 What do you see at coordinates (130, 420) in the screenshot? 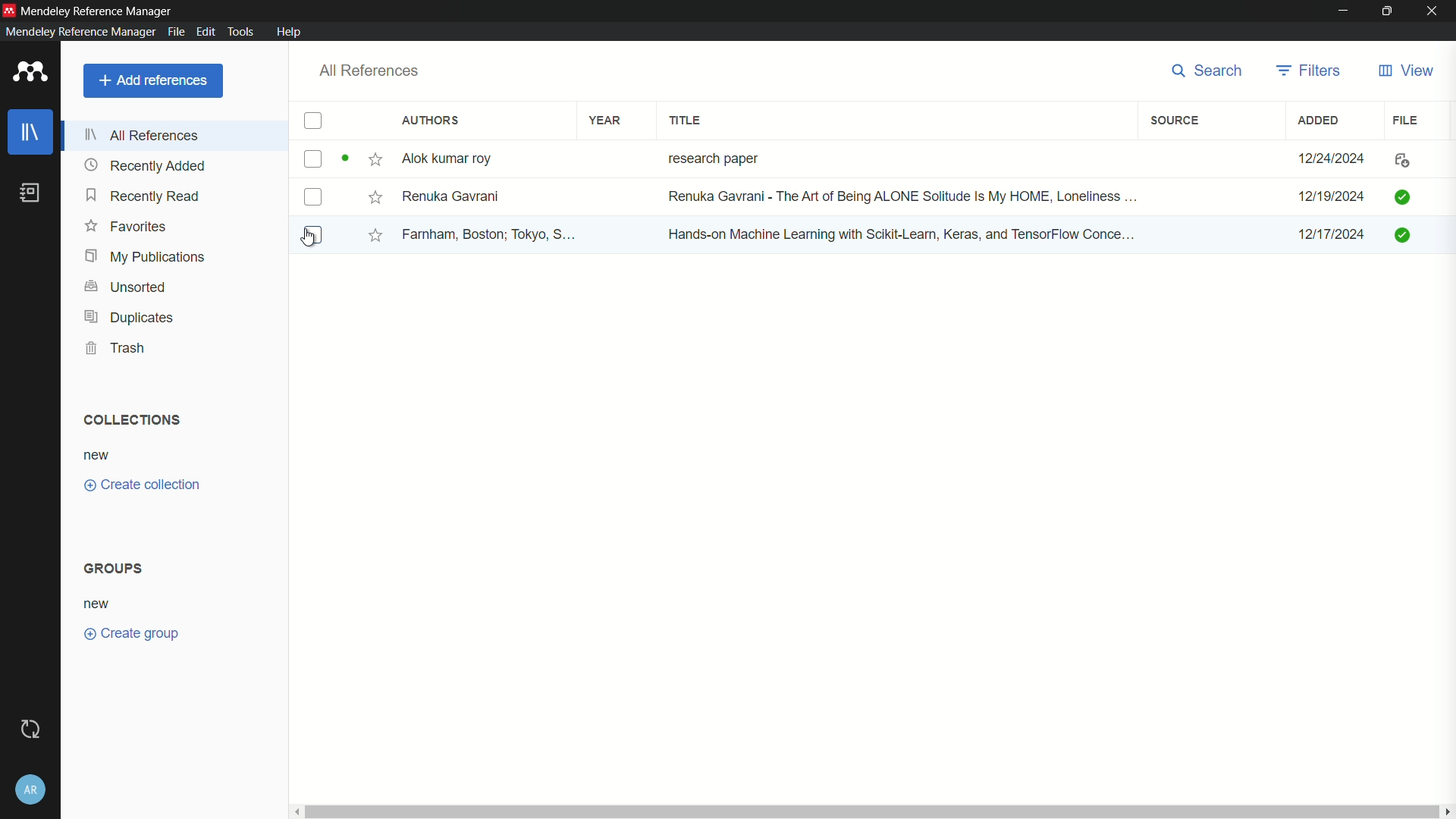
I see `collections` at bounding box center [130, 420].